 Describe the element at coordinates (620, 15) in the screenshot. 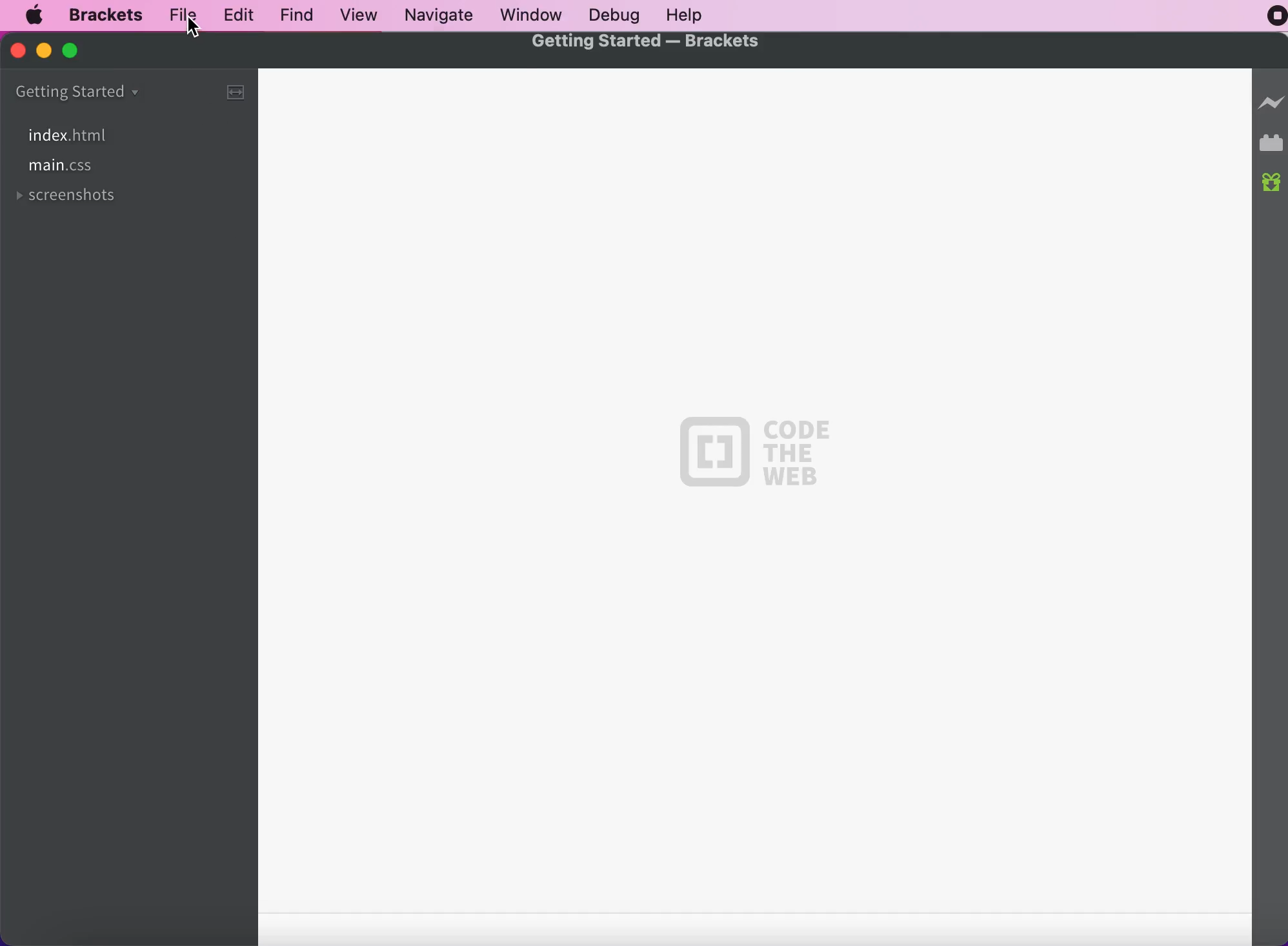

I see `debug` at that location.